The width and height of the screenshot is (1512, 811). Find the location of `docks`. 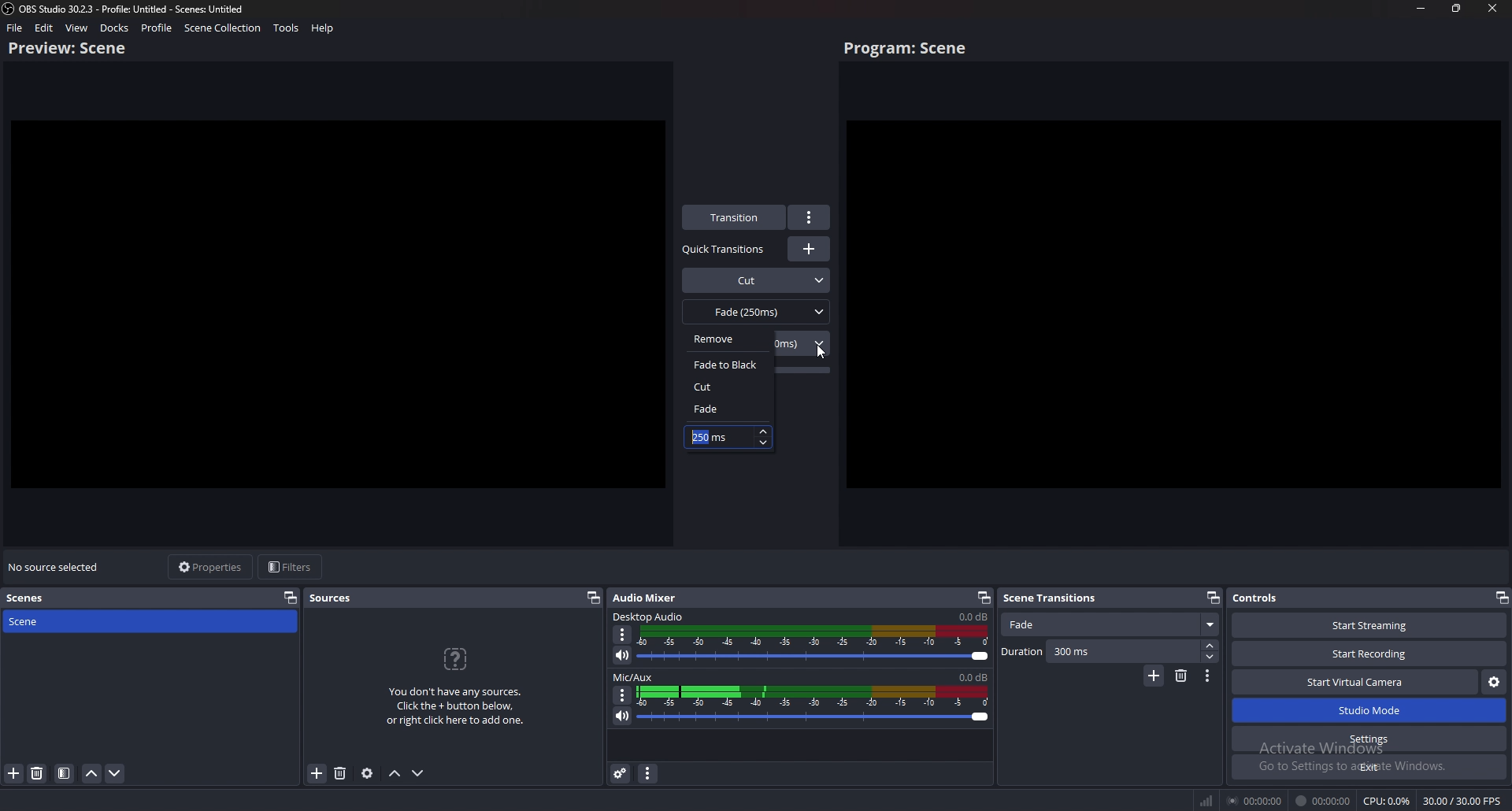

docks is located at coordinates (114, 28).